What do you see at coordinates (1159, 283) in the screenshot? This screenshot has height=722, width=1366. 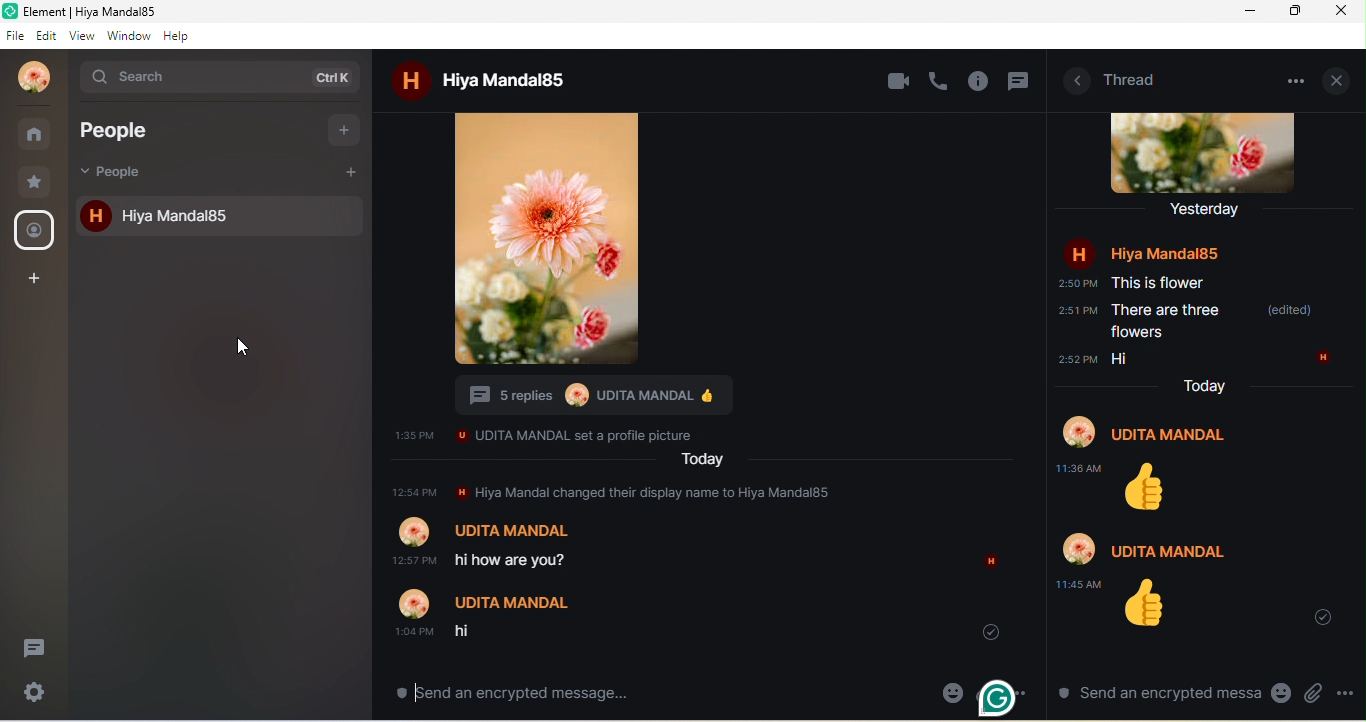 I see `This is flower` at bounding box center [1159, 283].